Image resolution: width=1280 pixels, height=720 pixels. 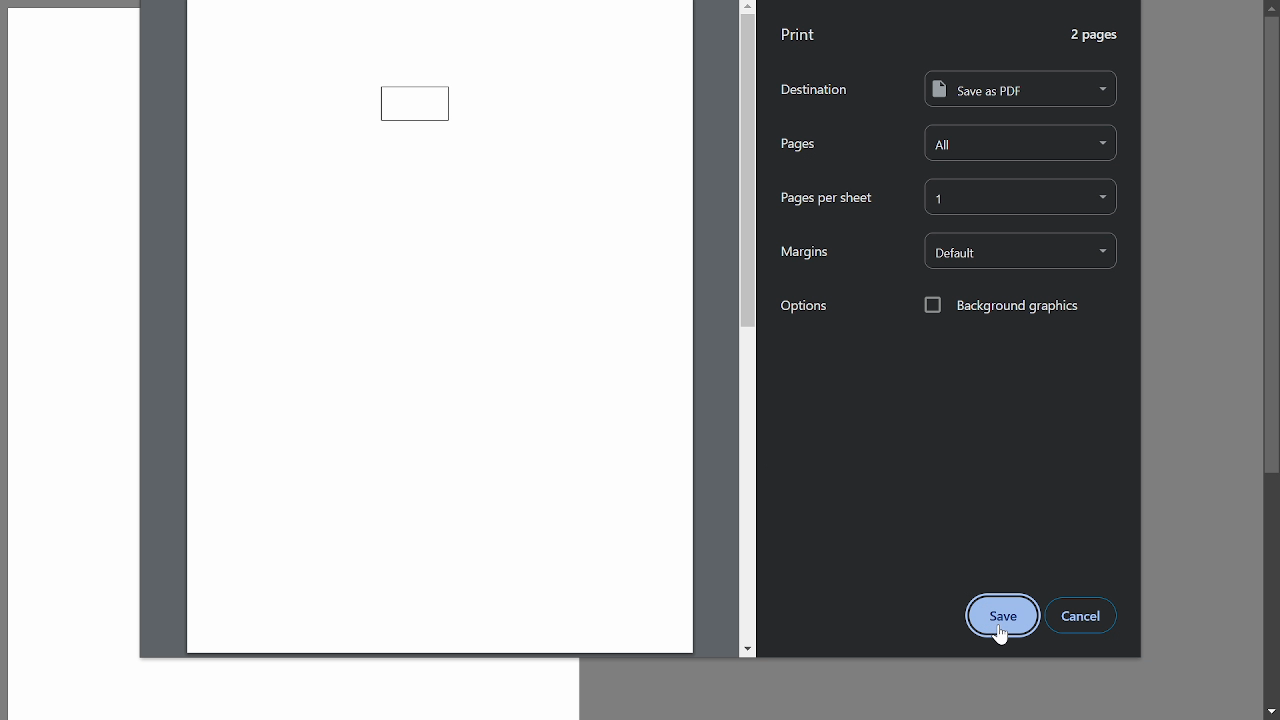 What do you see at coordinates (1029, 199) in the screenshot?
I see `1` at bounding box center [1029, 199].